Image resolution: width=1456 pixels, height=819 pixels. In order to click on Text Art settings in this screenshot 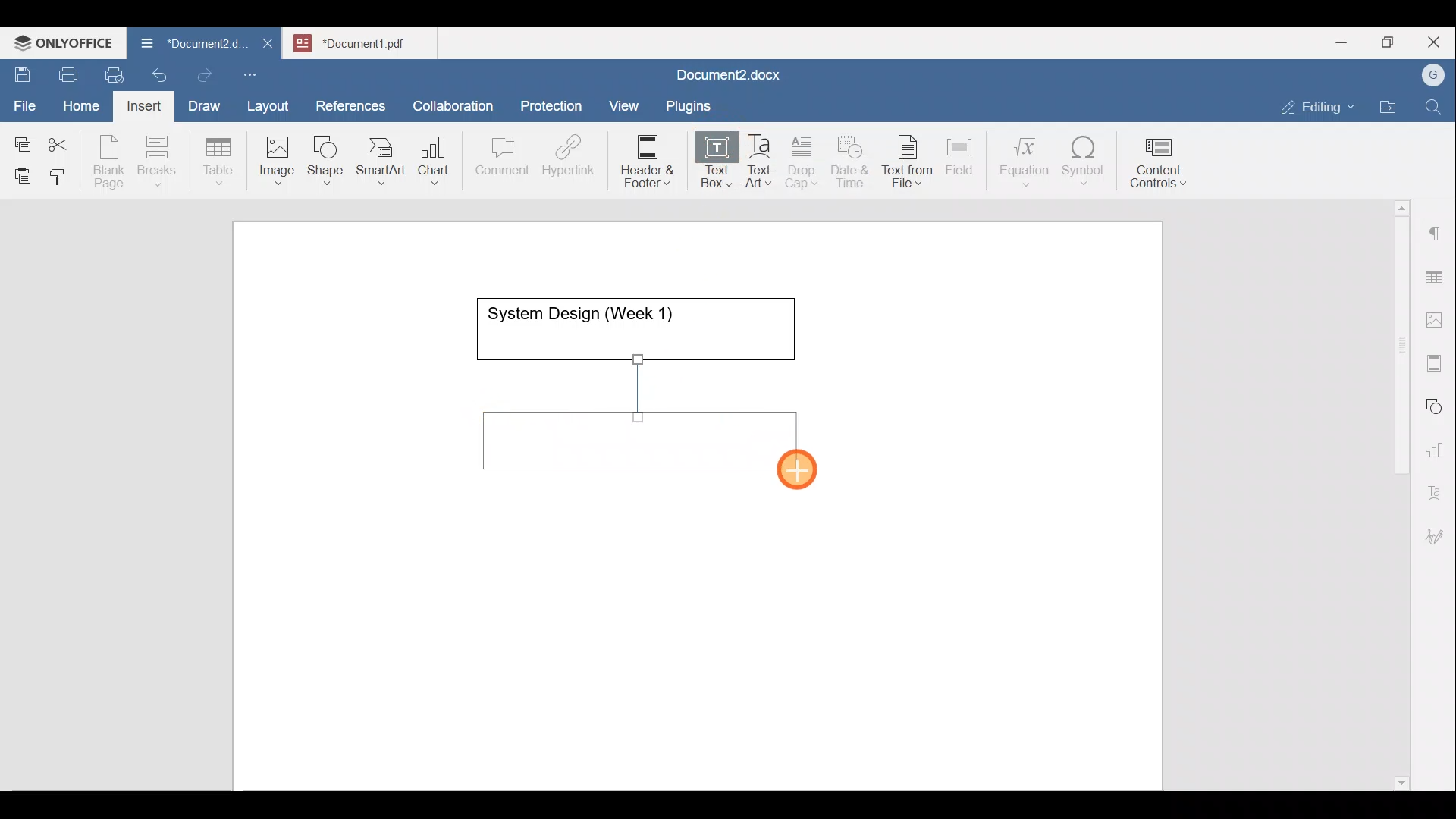, I will do `click(1436, 487)`.